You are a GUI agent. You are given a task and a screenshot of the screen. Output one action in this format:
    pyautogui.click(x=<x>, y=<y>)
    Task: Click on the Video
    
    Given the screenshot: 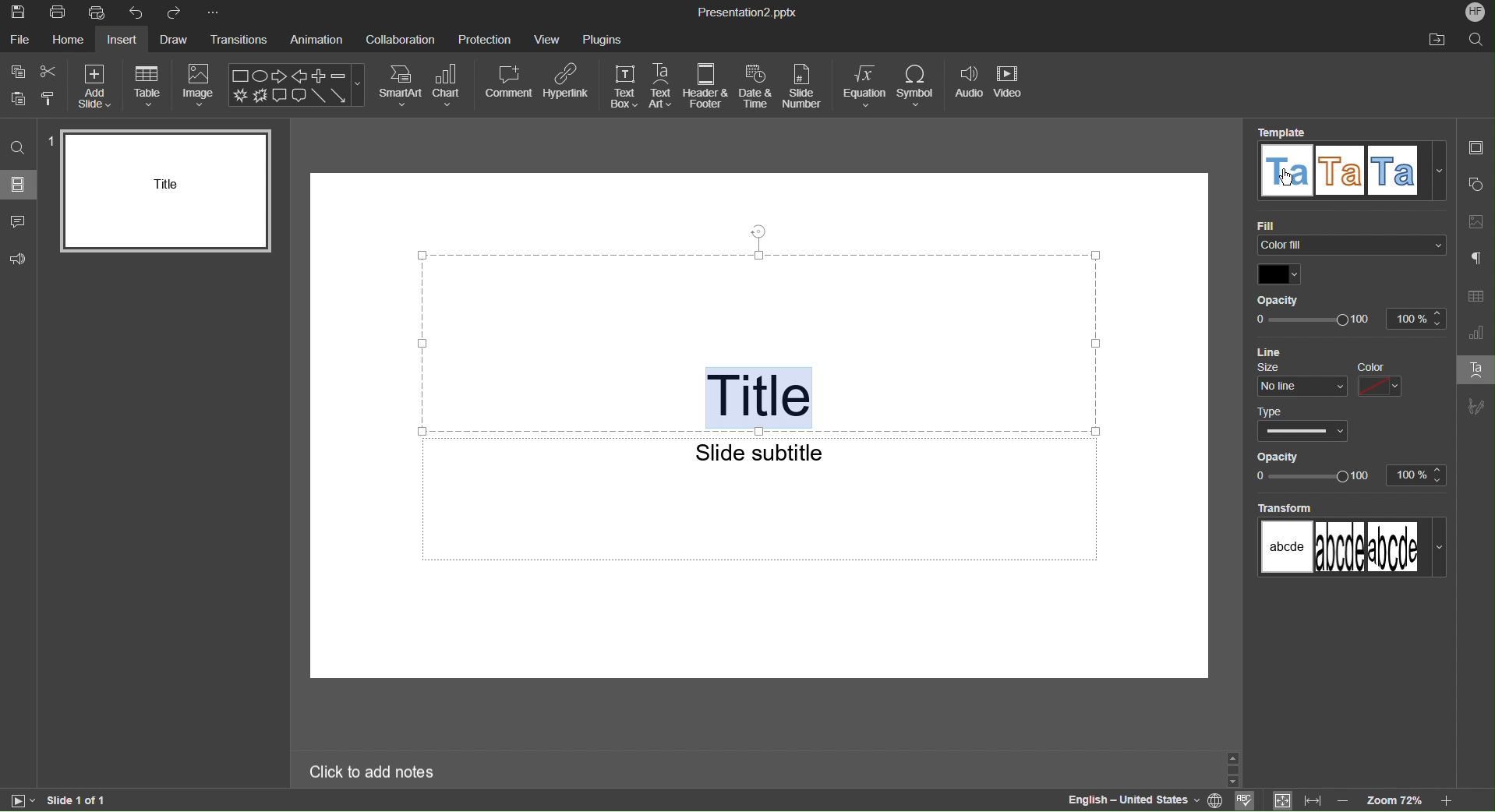 What is the action you would take?
    pyautogui.click(x=1013, y=86)
    